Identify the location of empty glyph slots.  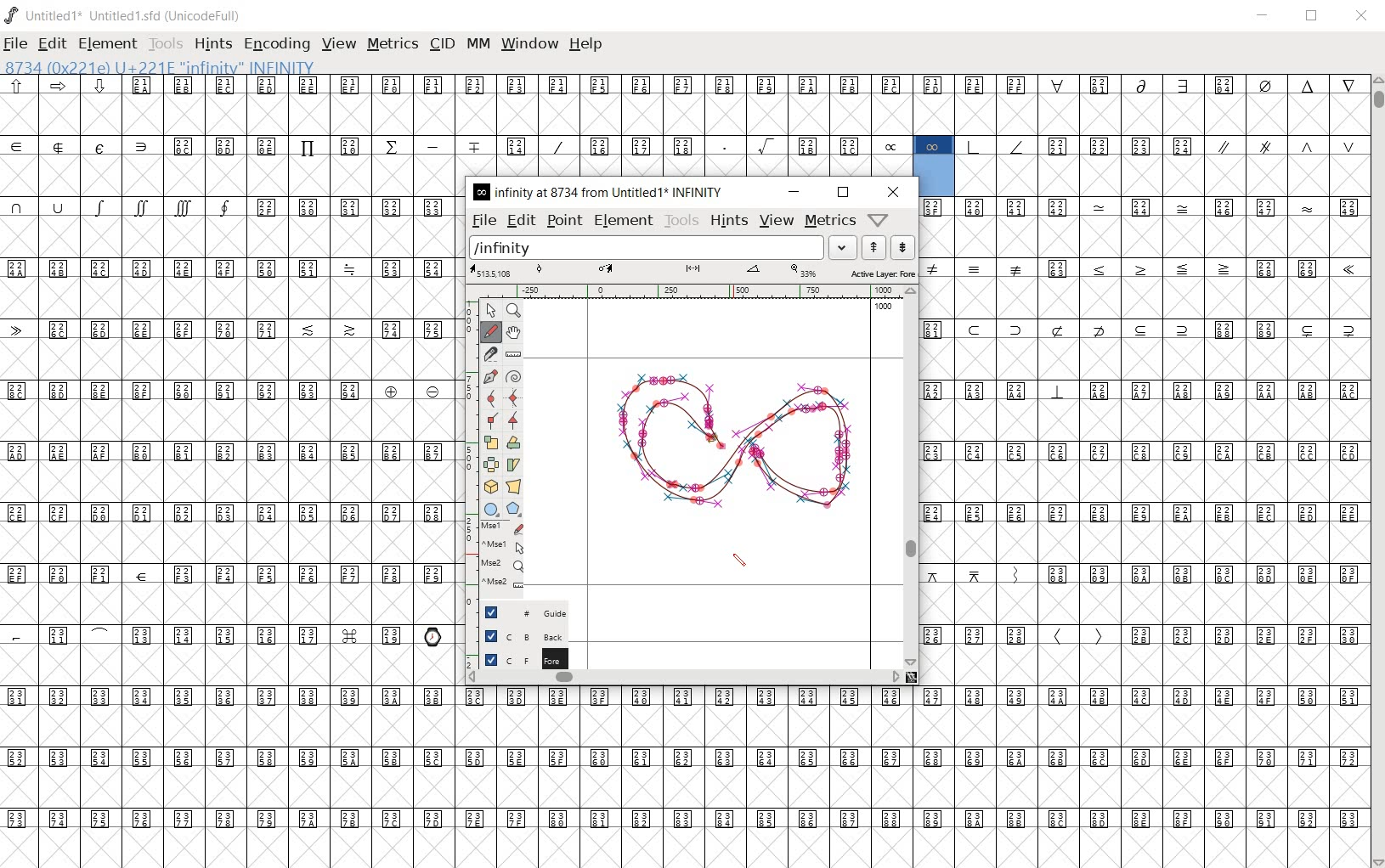
(1146, 420).